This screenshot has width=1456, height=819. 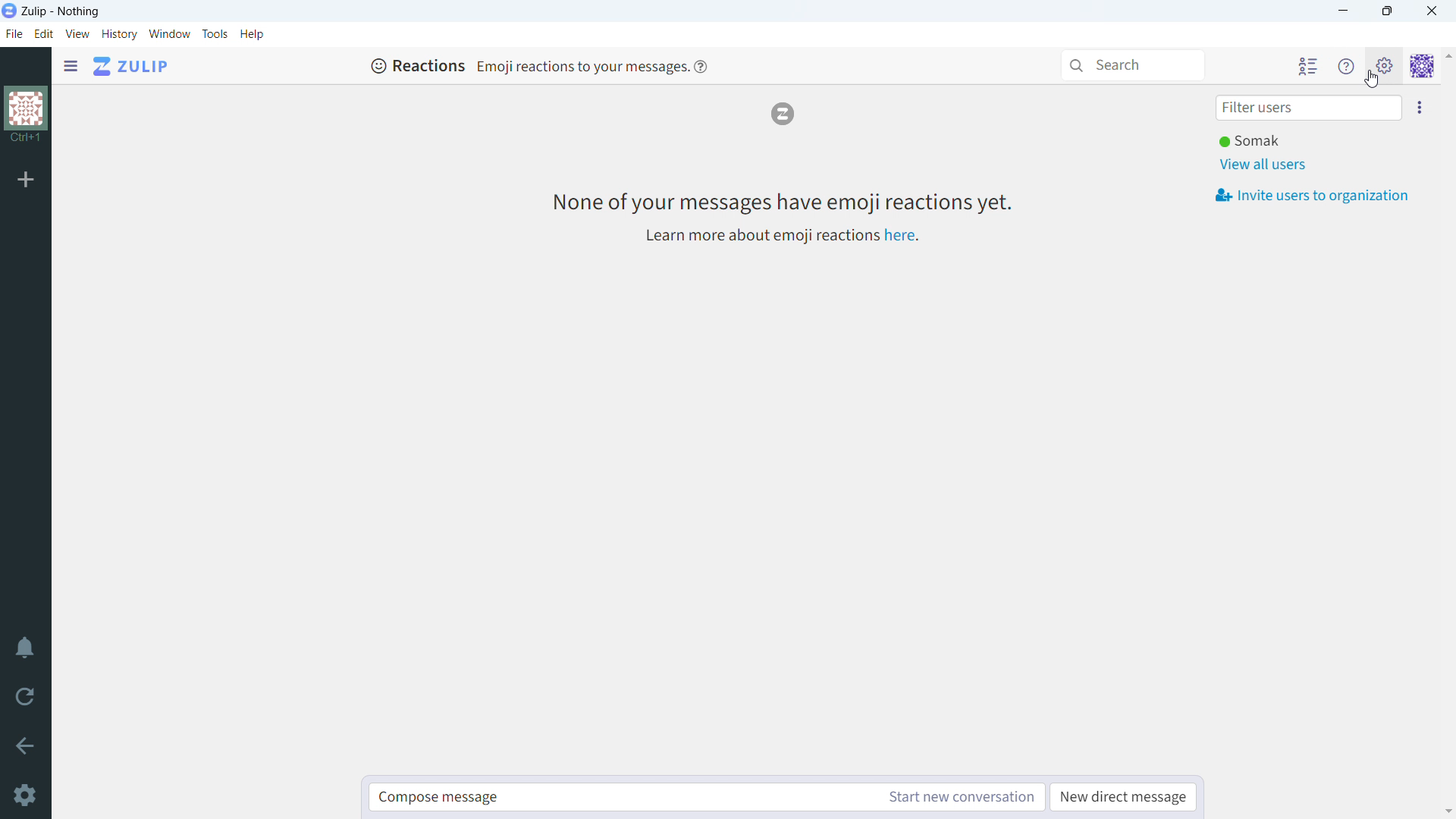 I want to click on Emoji reactions to your messages, so click(x=581, y=66).